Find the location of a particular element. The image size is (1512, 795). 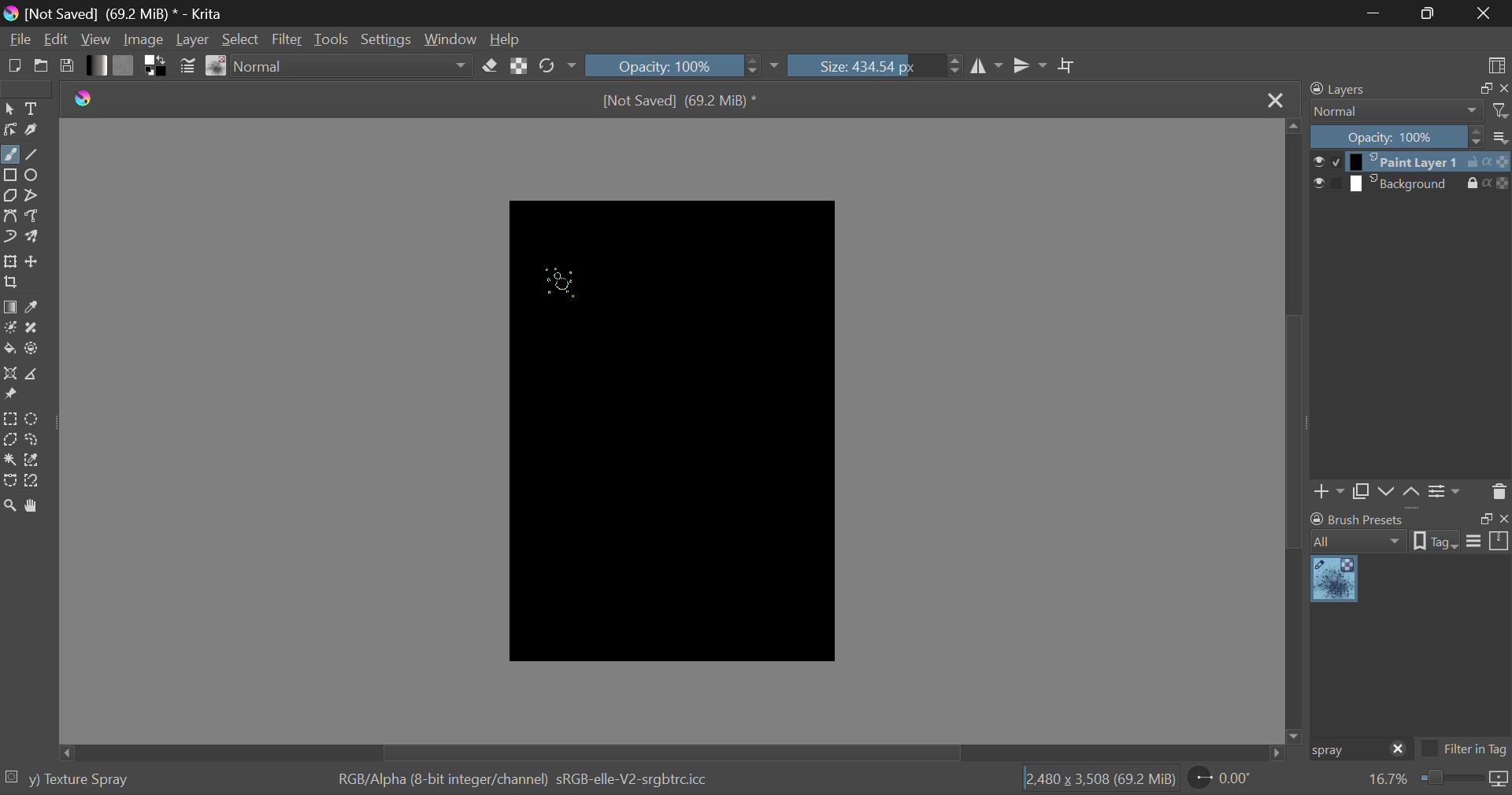

Circular Selection is located at coordinates (32, 419).